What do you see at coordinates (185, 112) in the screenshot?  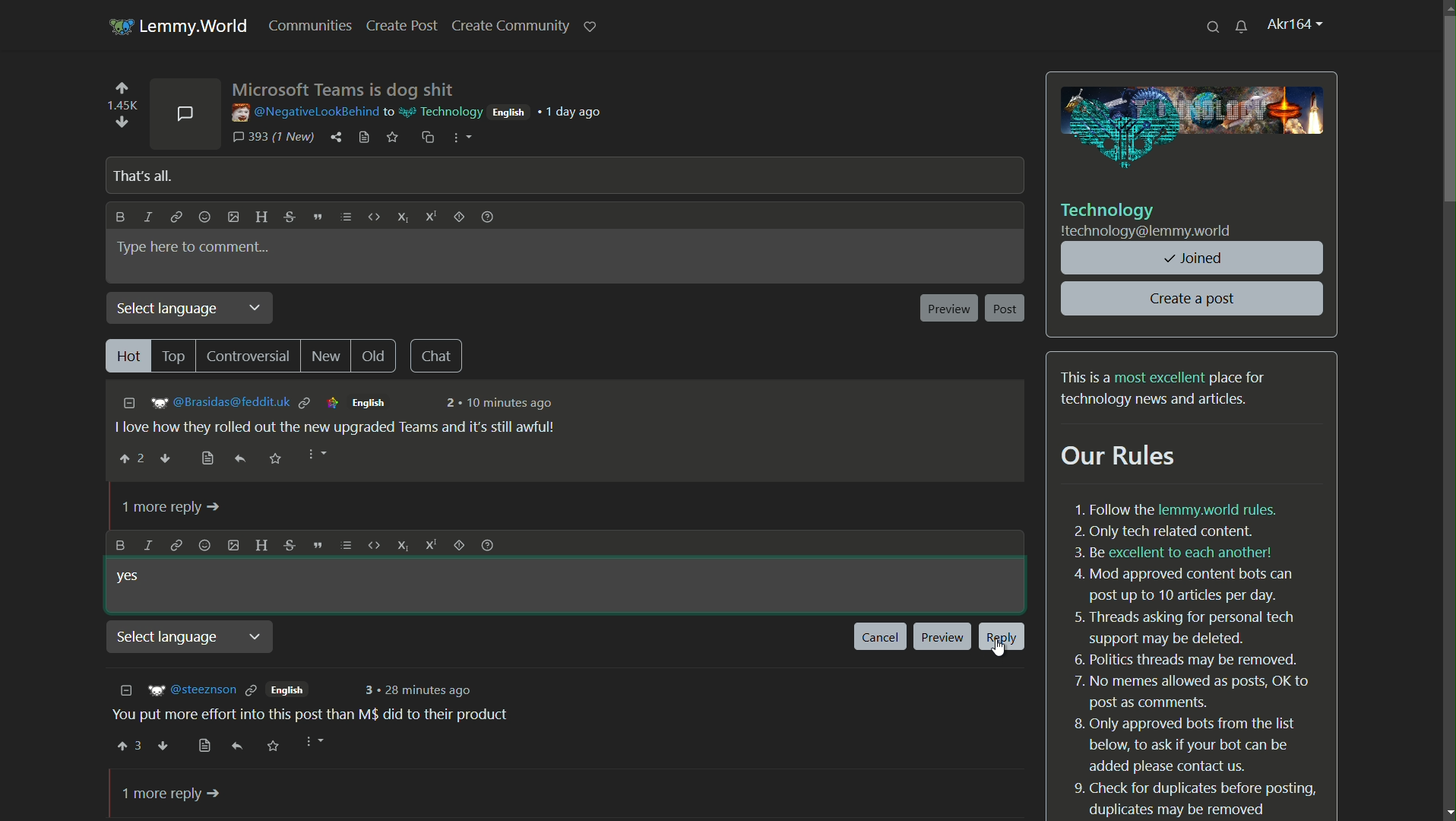 I see `comments` at bounding box center [185, 112].